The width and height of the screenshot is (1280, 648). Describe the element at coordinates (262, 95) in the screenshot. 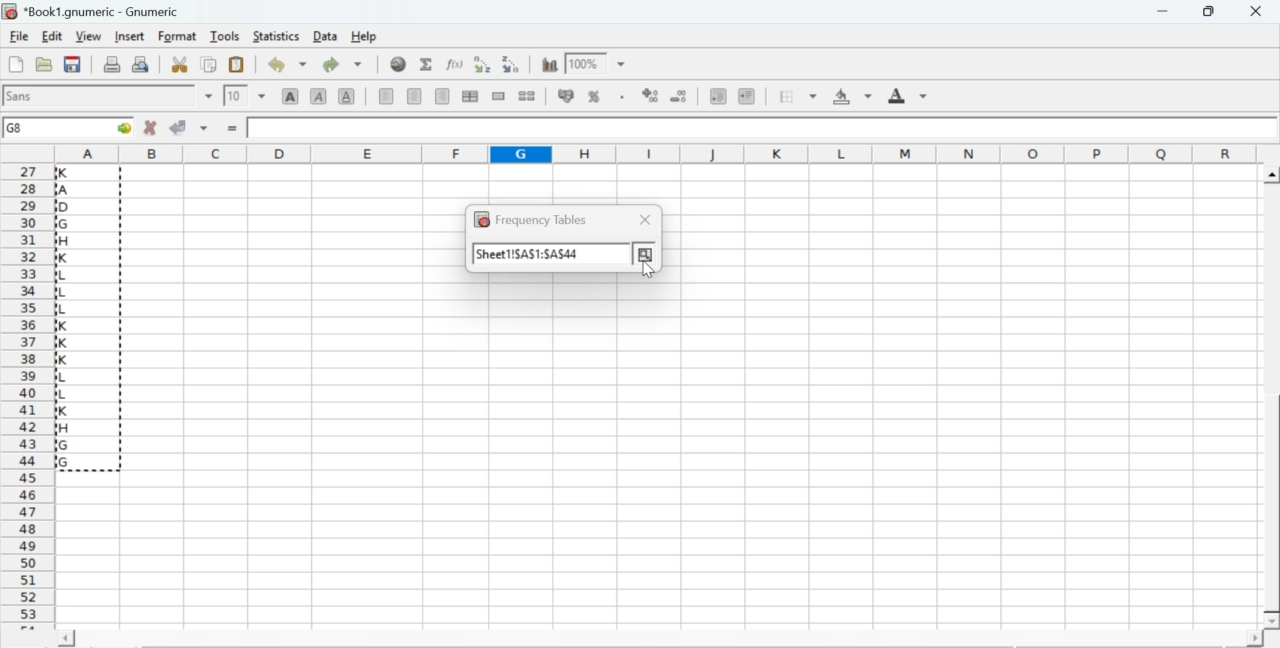

I see `drop down` at that location.